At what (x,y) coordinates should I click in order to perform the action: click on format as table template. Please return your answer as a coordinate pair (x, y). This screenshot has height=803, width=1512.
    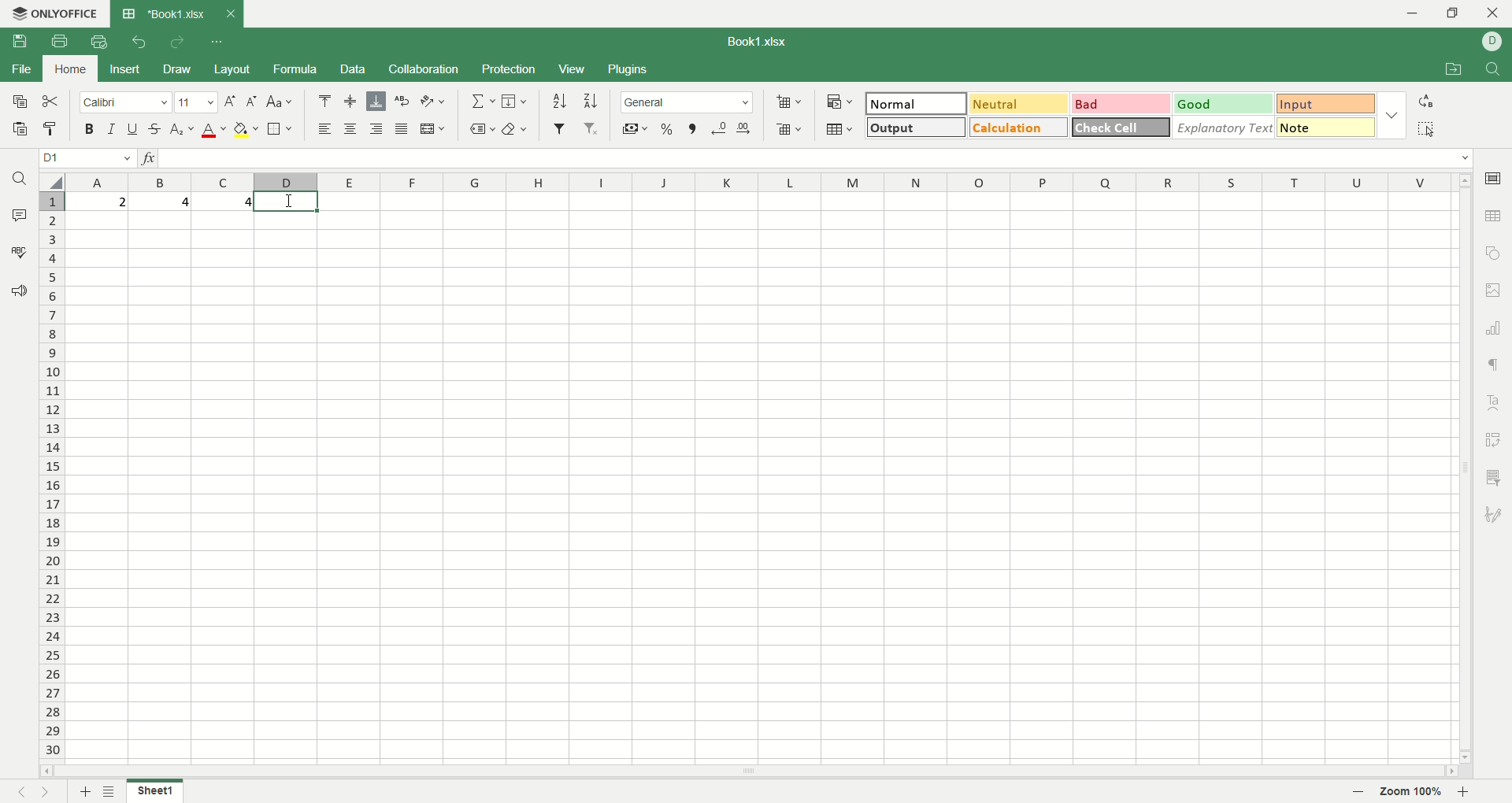
    Looking at the image, I should click on (838, 131).